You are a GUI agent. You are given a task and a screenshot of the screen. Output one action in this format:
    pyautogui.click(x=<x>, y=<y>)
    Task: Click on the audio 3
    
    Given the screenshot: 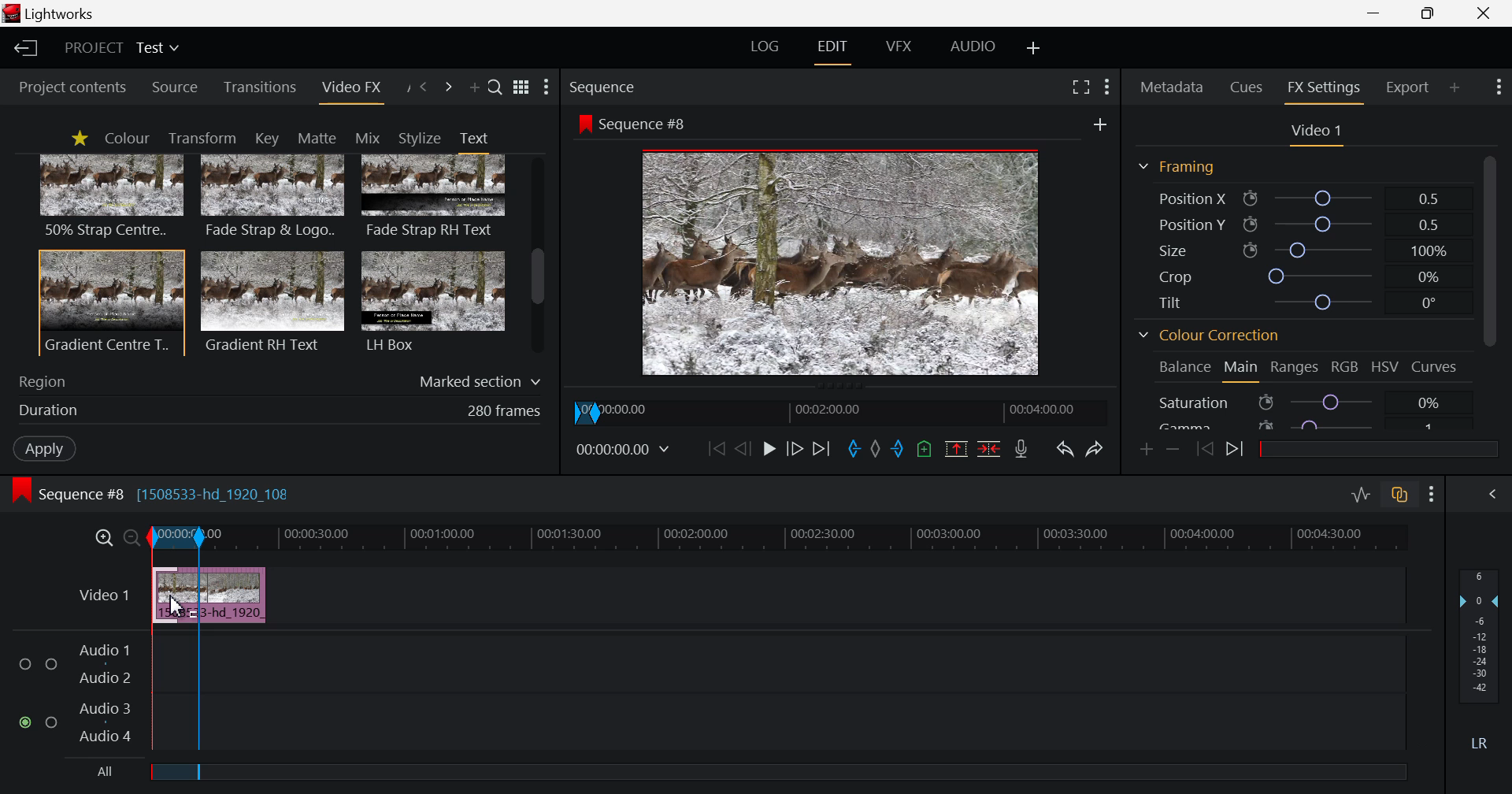 What is the action you would take?
    pyautogui.click(x=105, y=711)
    